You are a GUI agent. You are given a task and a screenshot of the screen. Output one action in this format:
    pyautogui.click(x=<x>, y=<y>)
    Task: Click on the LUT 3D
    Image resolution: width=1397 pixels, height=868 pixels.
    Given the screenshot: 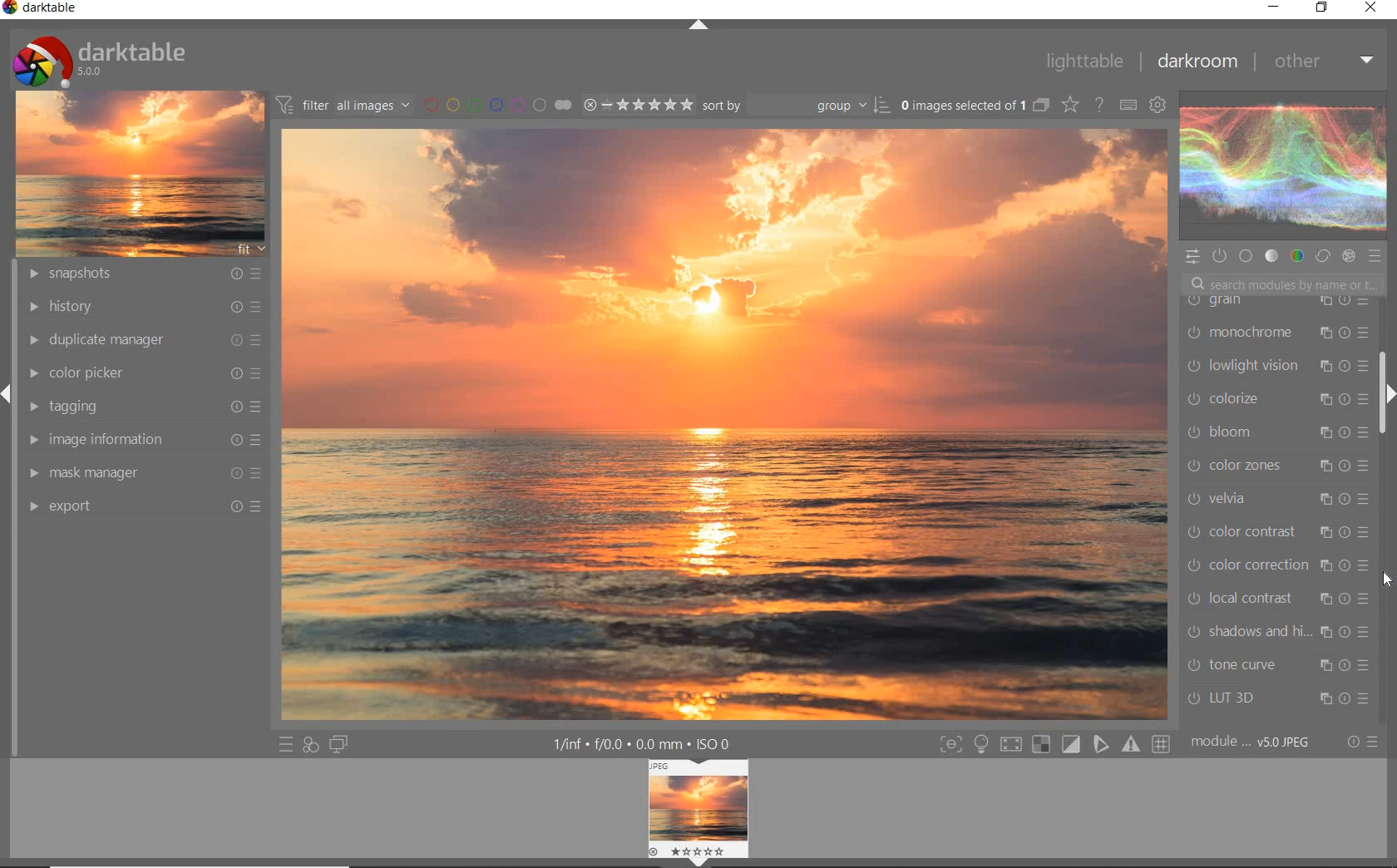 What is the action you would take?
    pyautogui.click(x=1273, y=699)
    